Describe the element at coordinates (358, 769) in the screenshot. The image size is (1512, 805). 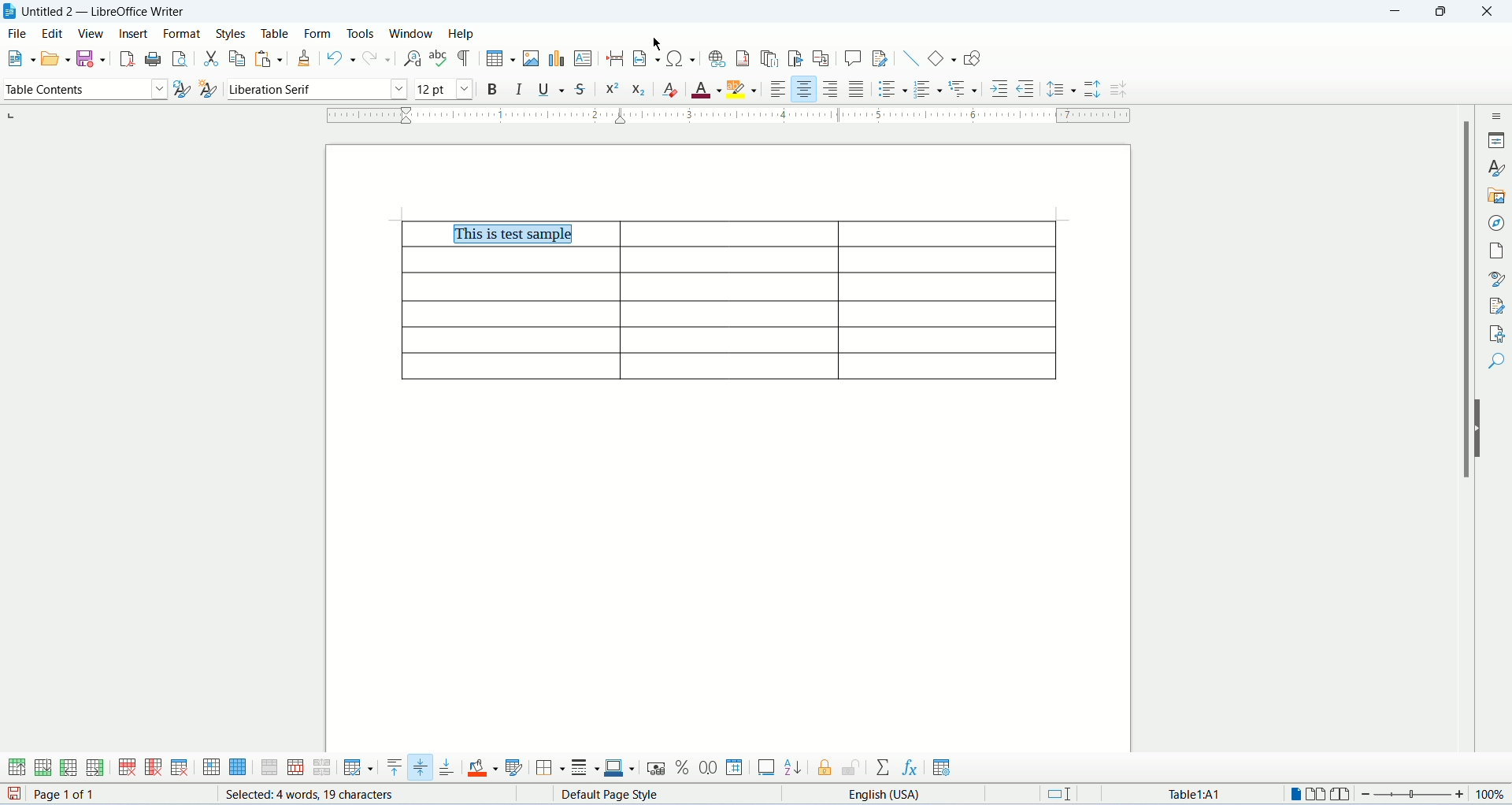
I see `optimize size` at that location.